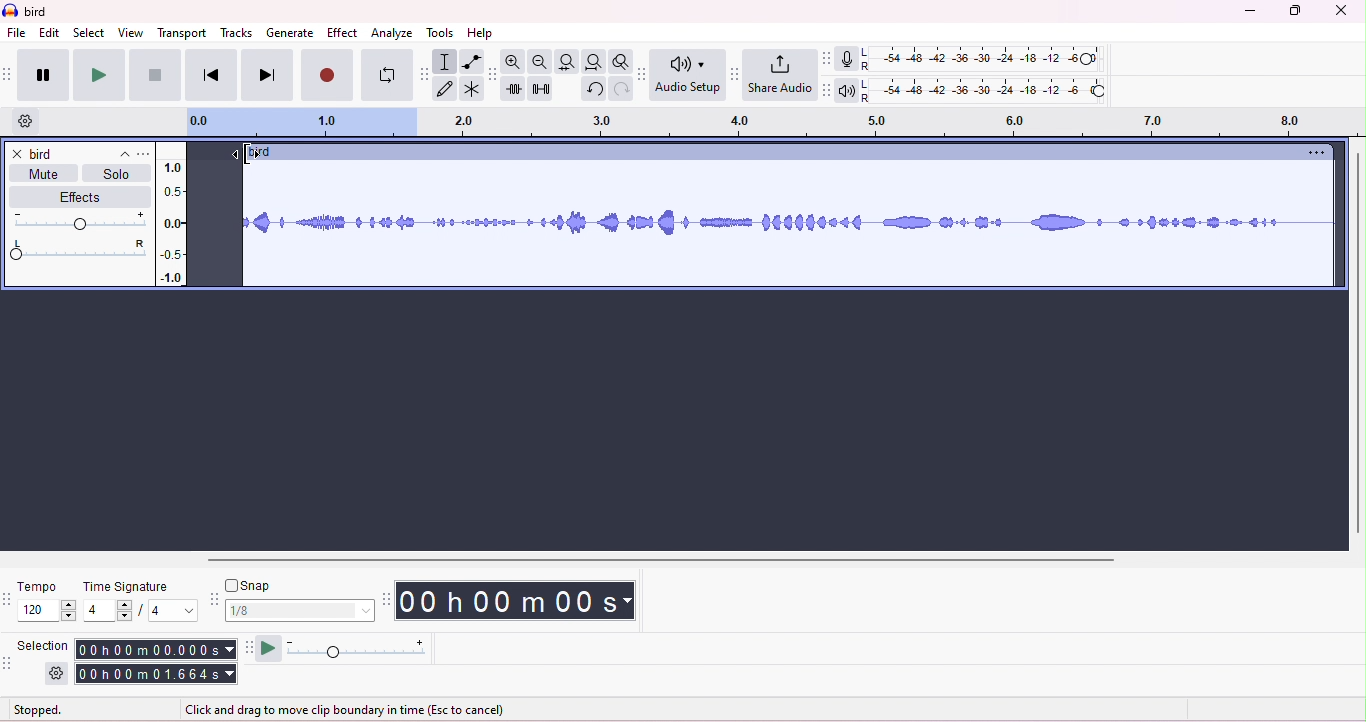  What do you see at coordinates (523, 600) in the screenshot?
I see `time` at bounding box center [523, 600].